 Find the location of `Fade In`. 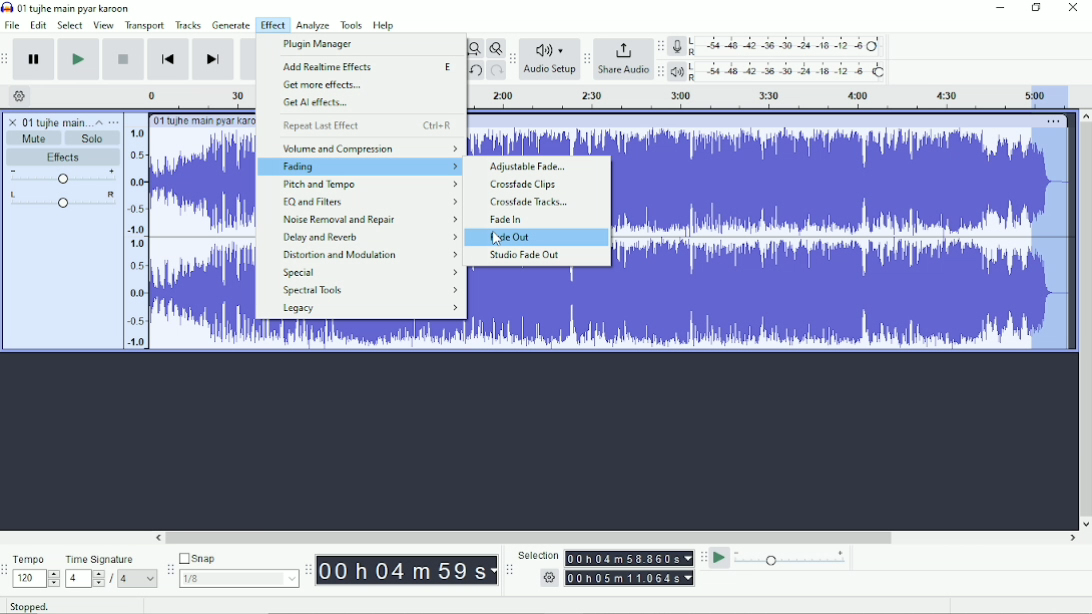

Fade In is located at coordinates (507, 219).